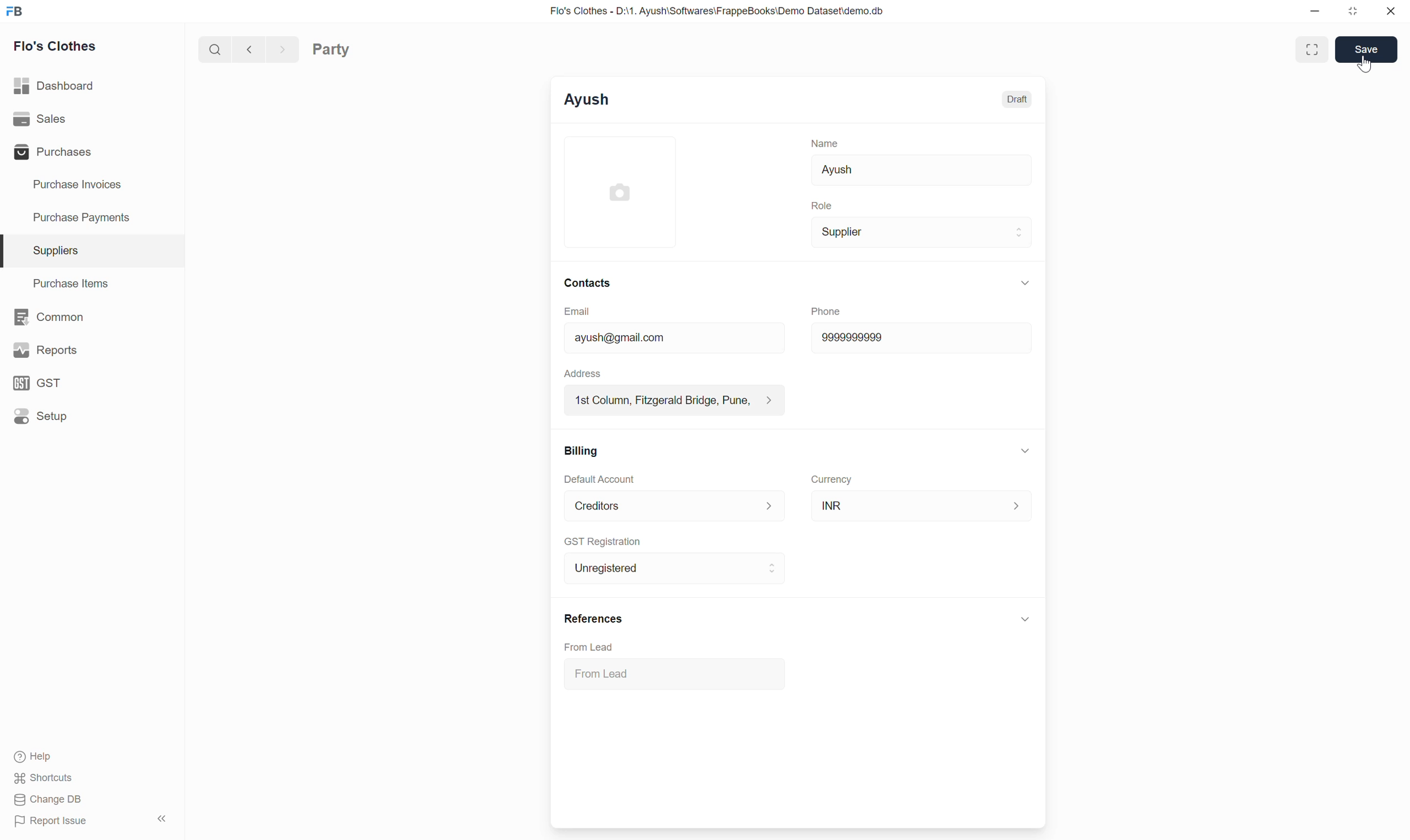  Describe the element at coordinates (44, 778) in the screenshot. I see `Shortcuts` at that location.